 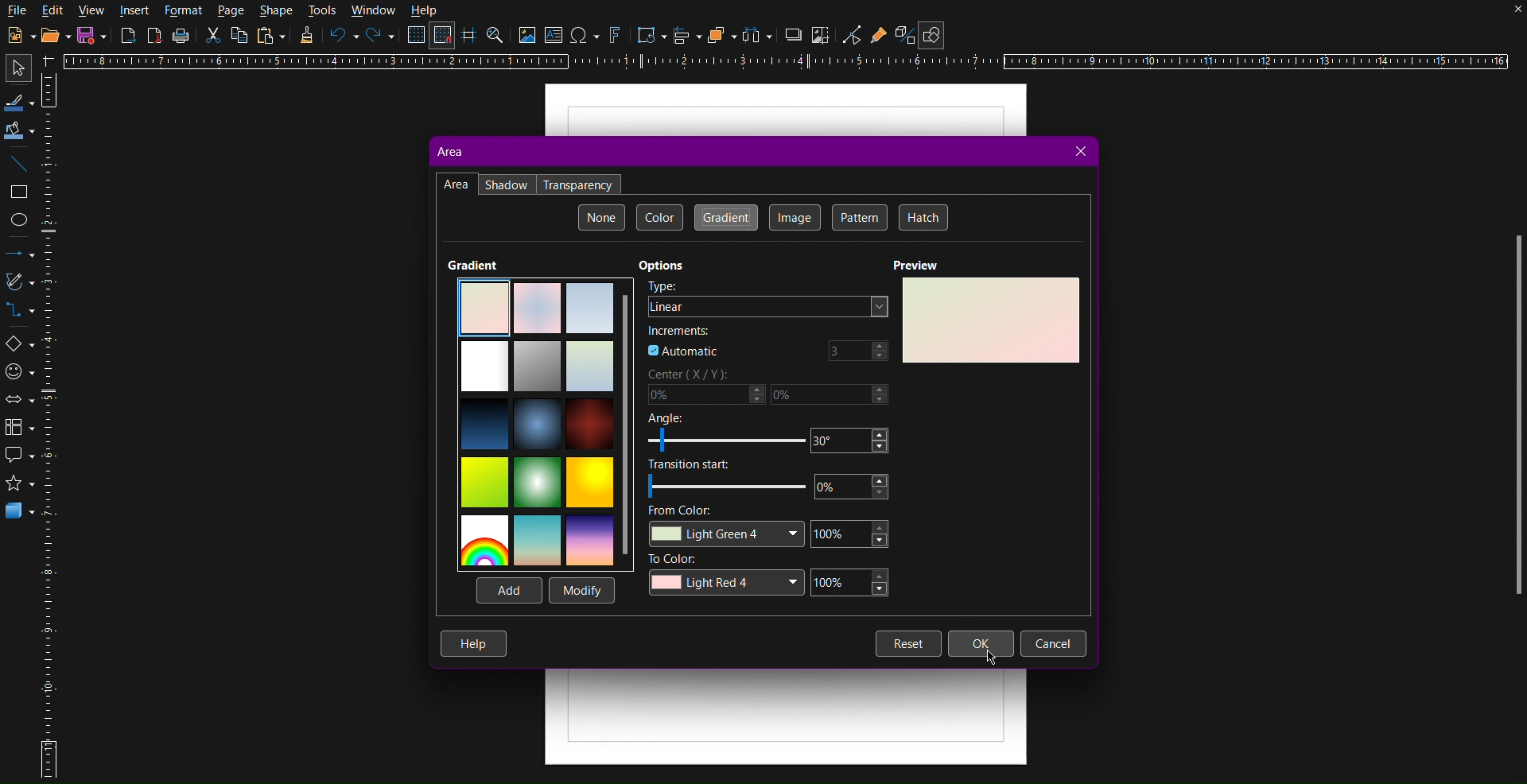 What do you see at coordinates (771, 577) in the screenshot?
I see `To Color` at bounding box center [771, 577].